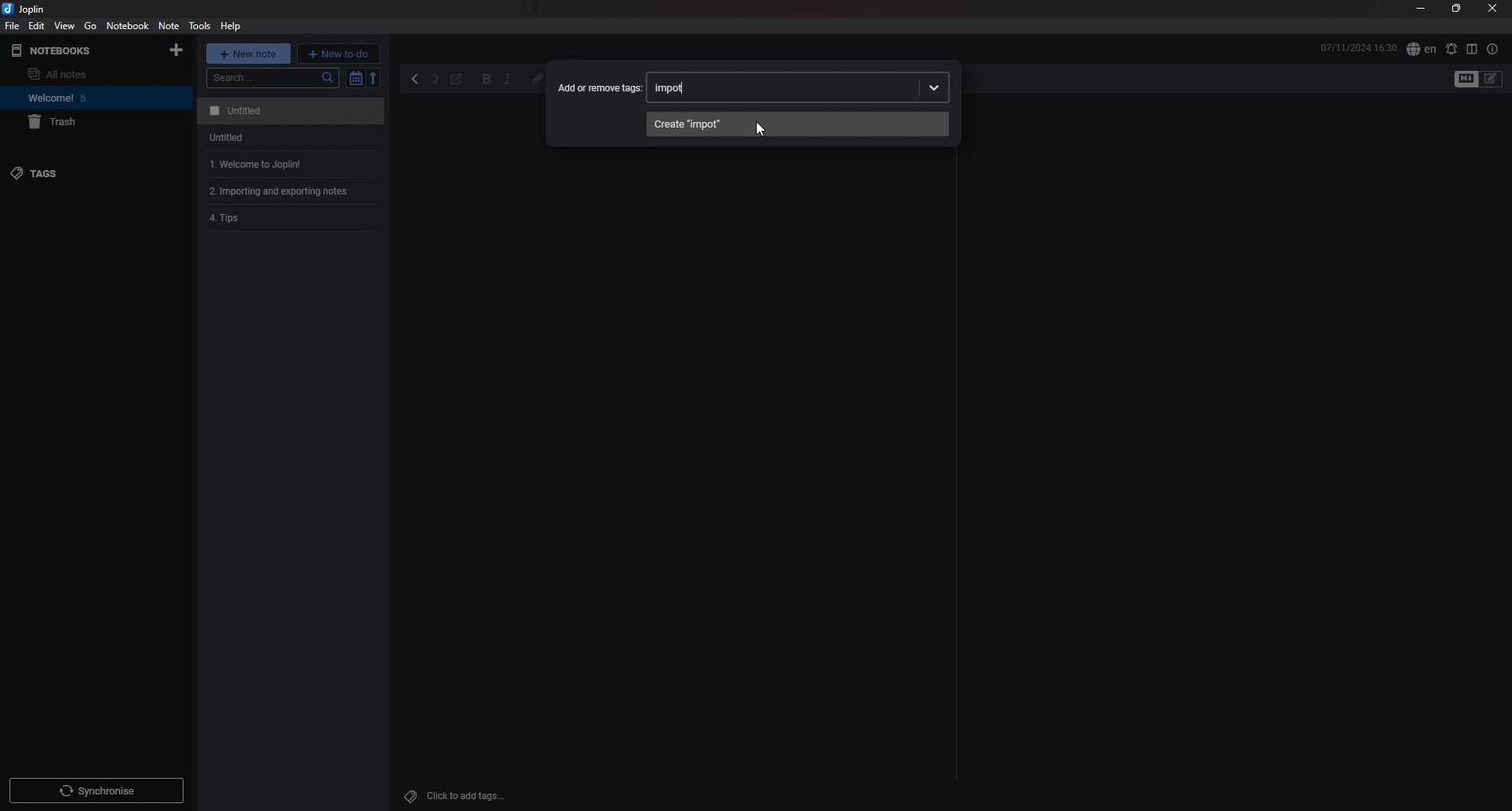  What do you see at coordinates (169, 25) in the screenshot?
I see `note` at bounding box center [169, 25].